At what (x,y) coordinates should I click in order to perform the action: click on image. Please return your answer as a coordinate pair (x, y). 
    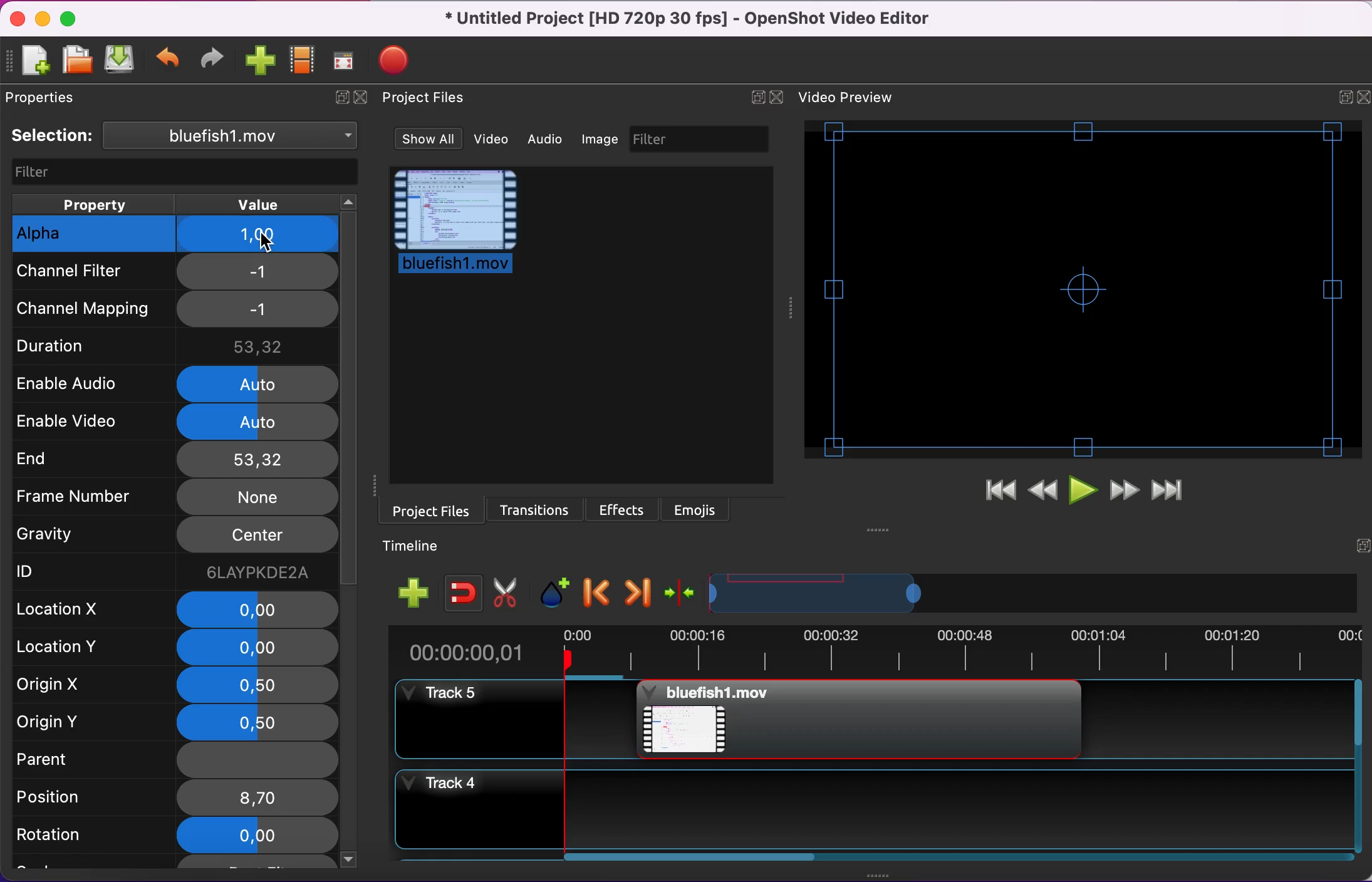
    Looking at the image, I should click on (602, 140).